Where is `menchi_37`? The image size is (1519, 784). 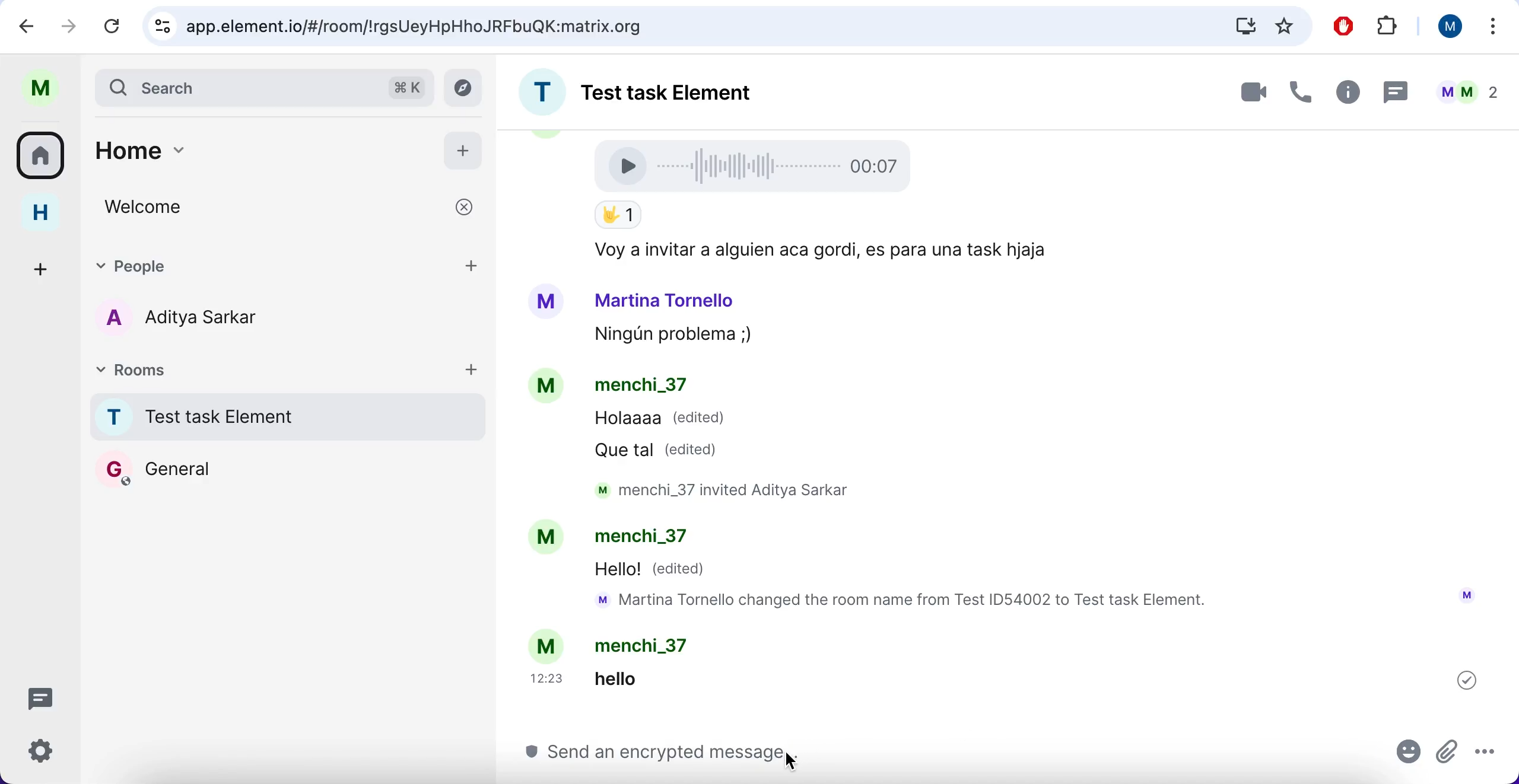 menchi_37 is located at coordinates (641, 387).